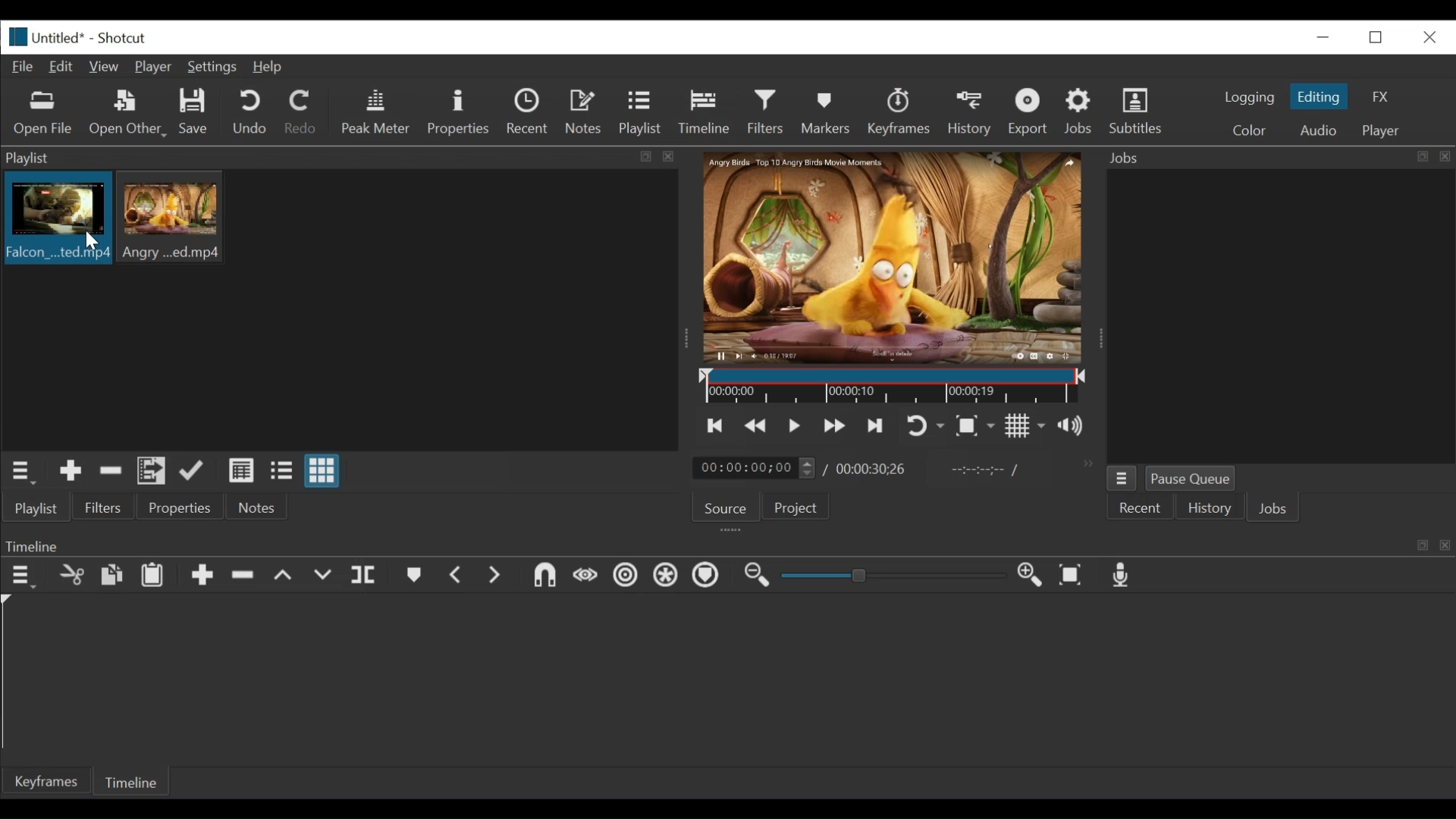 Image resolution: width=1456 pixels, height=819 pixels. Describe the element at coordinates (57, 217) in the screenshot. I see `clip` at that location.